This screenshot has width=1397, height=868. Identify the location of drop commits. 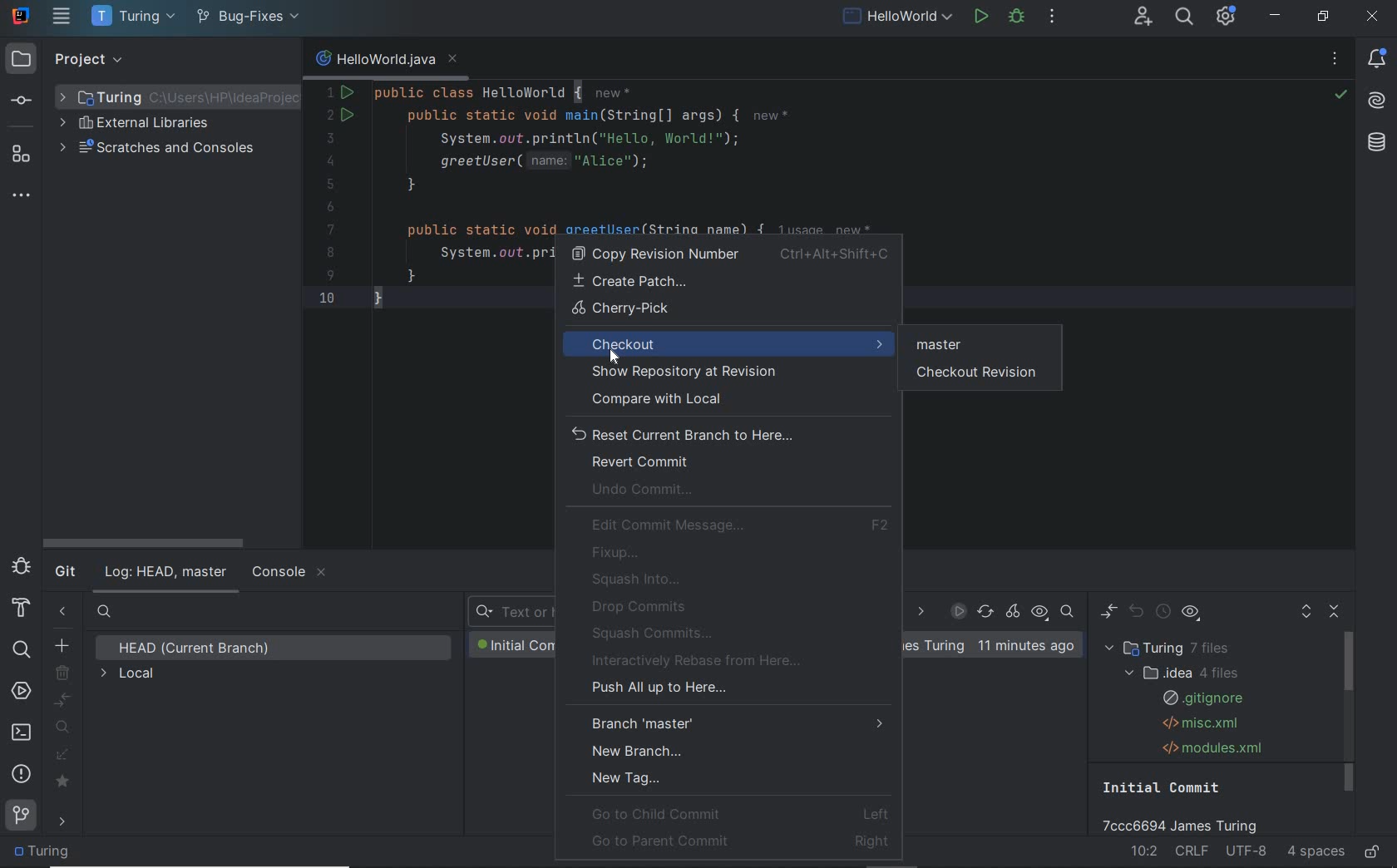
(635, 607).